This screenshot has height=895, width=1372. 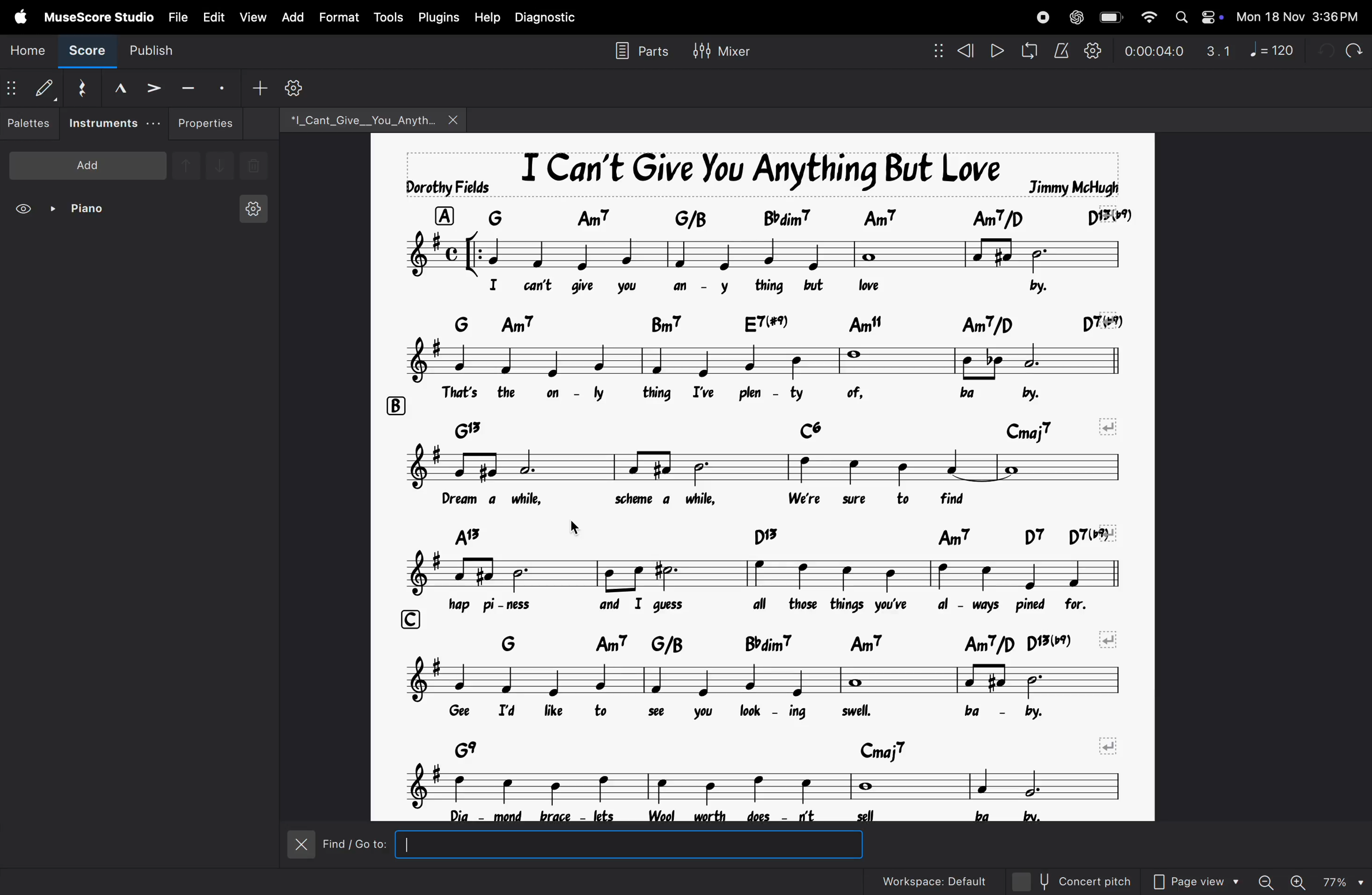 What do you see at coordinates (639, 51) in the screenshot?
I see `parts` at bounding box center [639, 51].